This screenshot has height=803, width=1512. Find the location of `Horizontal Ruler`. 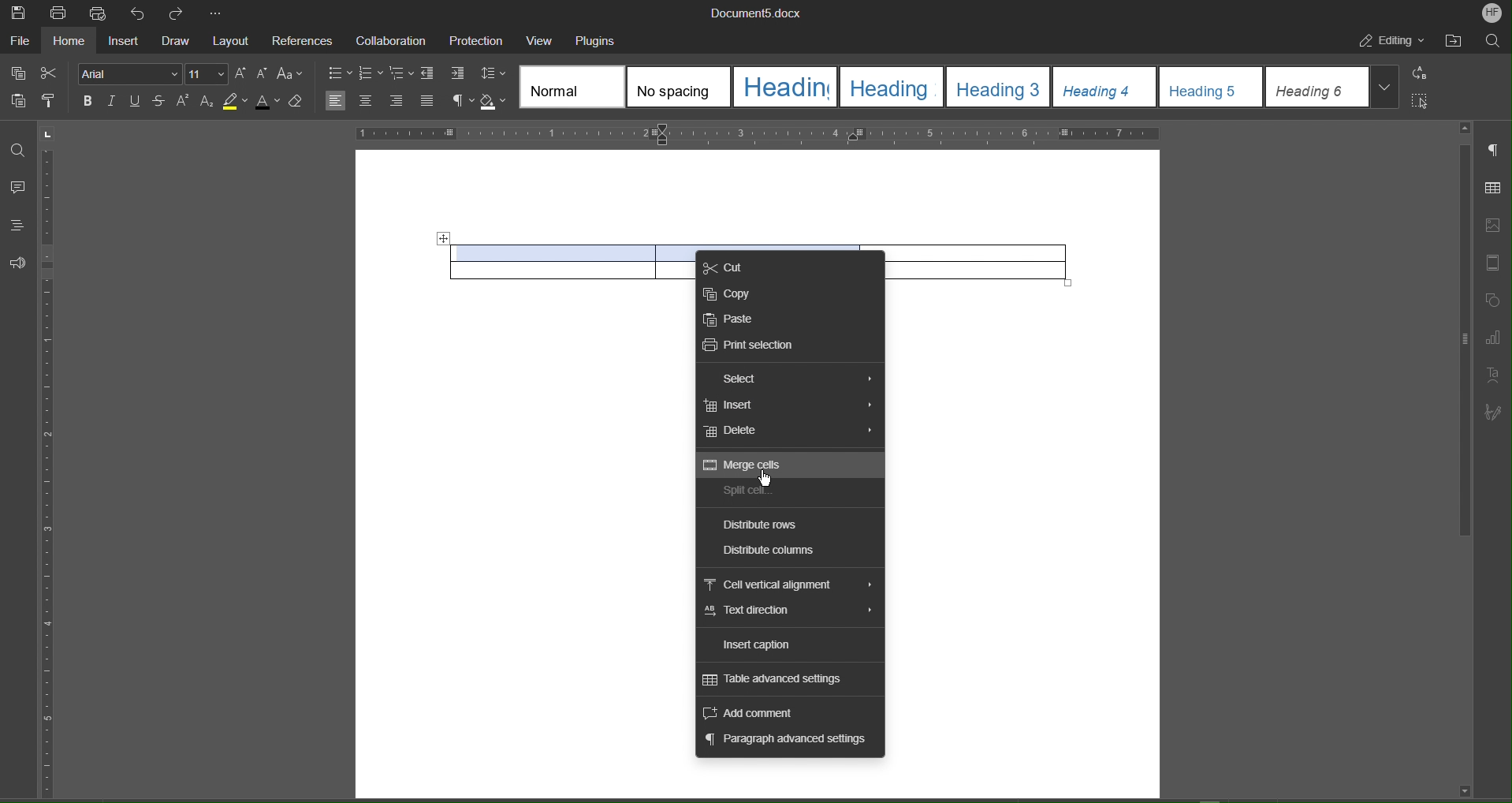

Horizontal Ruler is located at coordinates (757, 133).